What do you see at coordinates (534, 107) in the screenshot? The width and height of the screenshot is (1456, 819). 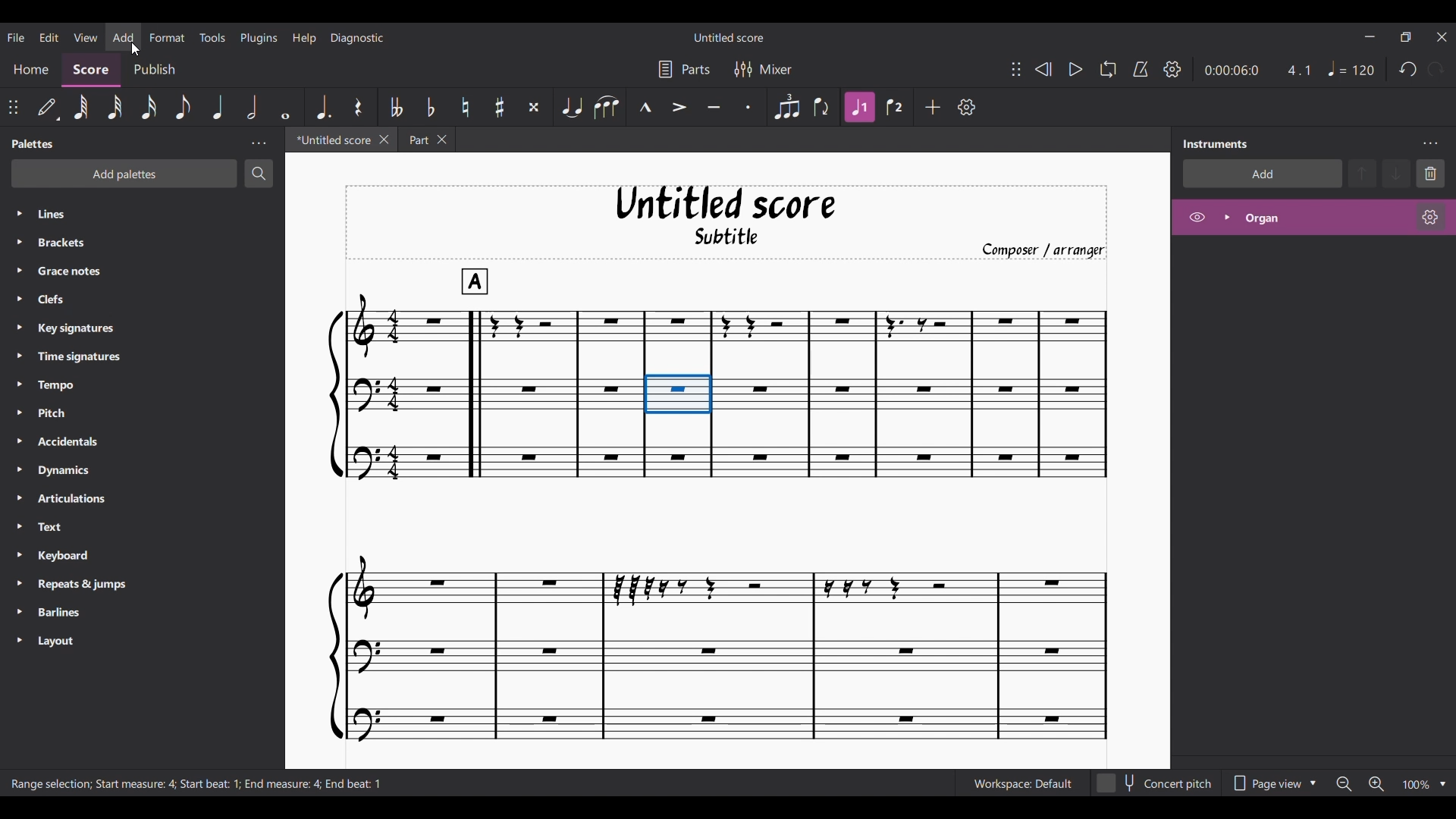 I see `Toggle double sharp` at bounding box center [534, 107].